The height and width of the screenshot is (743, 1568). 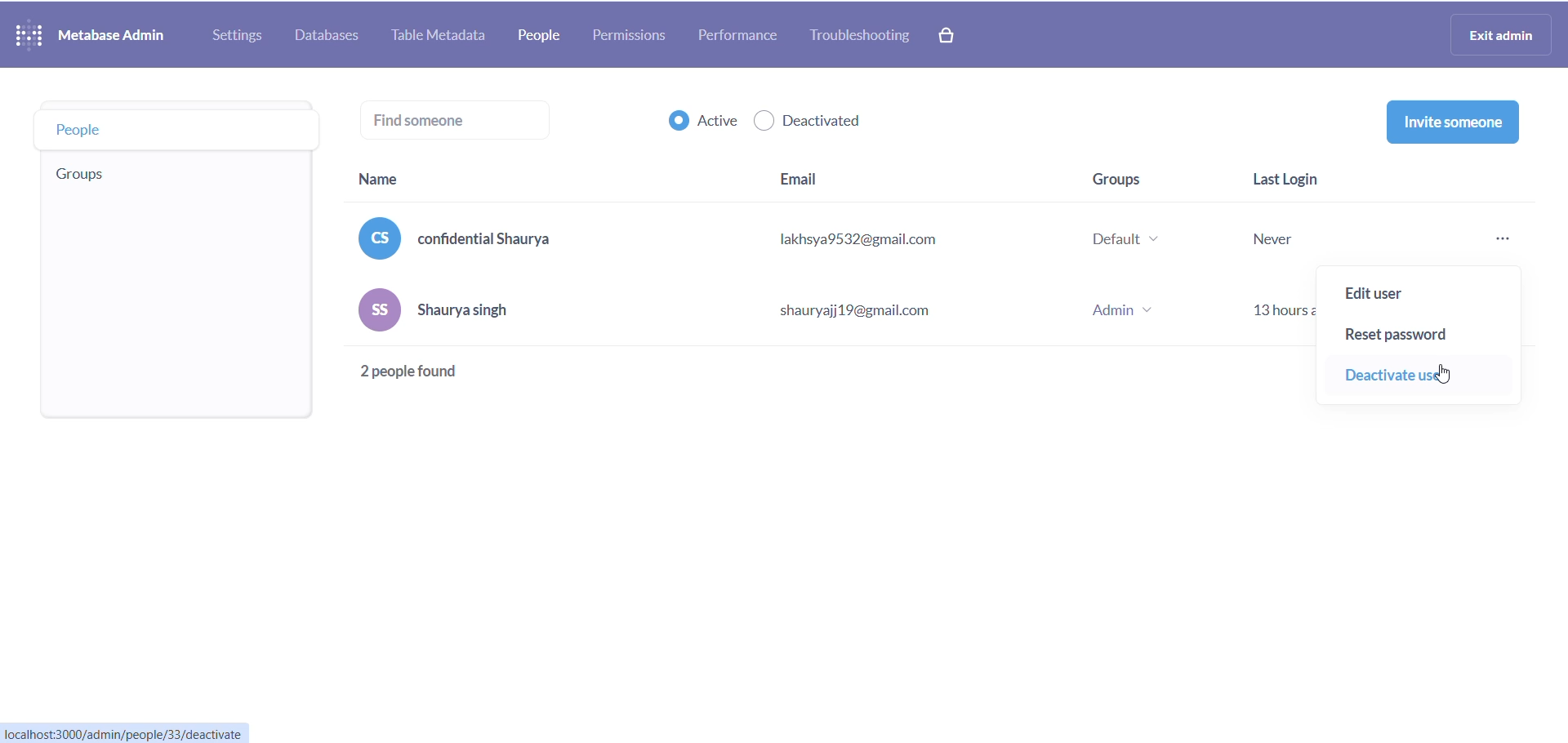 I want to click on paid version, so click(x=949, y=34).